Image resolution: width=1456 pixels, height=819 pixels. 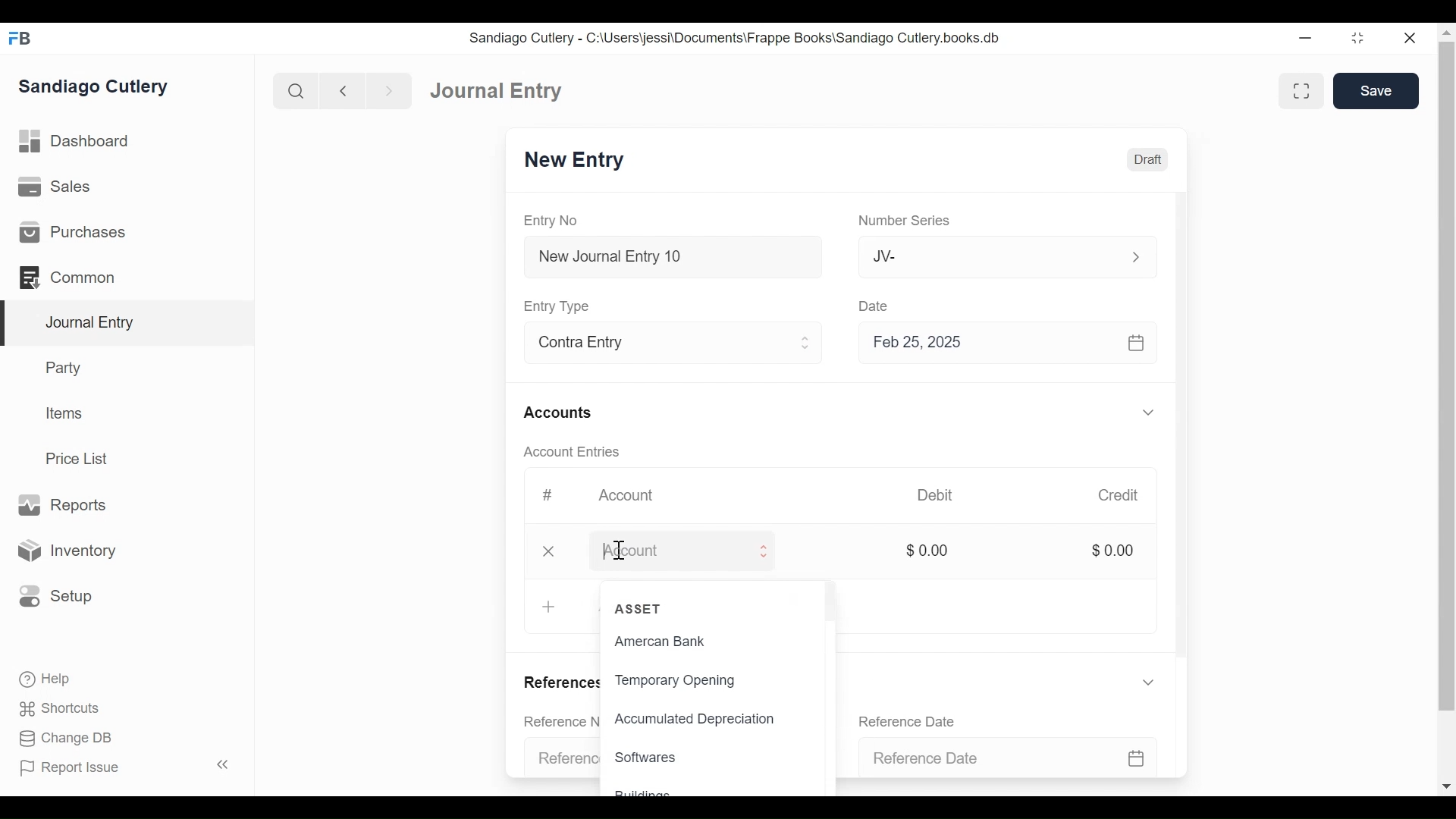 What do you see at coordinates (930, 550) in the screenshot?
I see `$0.00` at bounding box center [930, 550].